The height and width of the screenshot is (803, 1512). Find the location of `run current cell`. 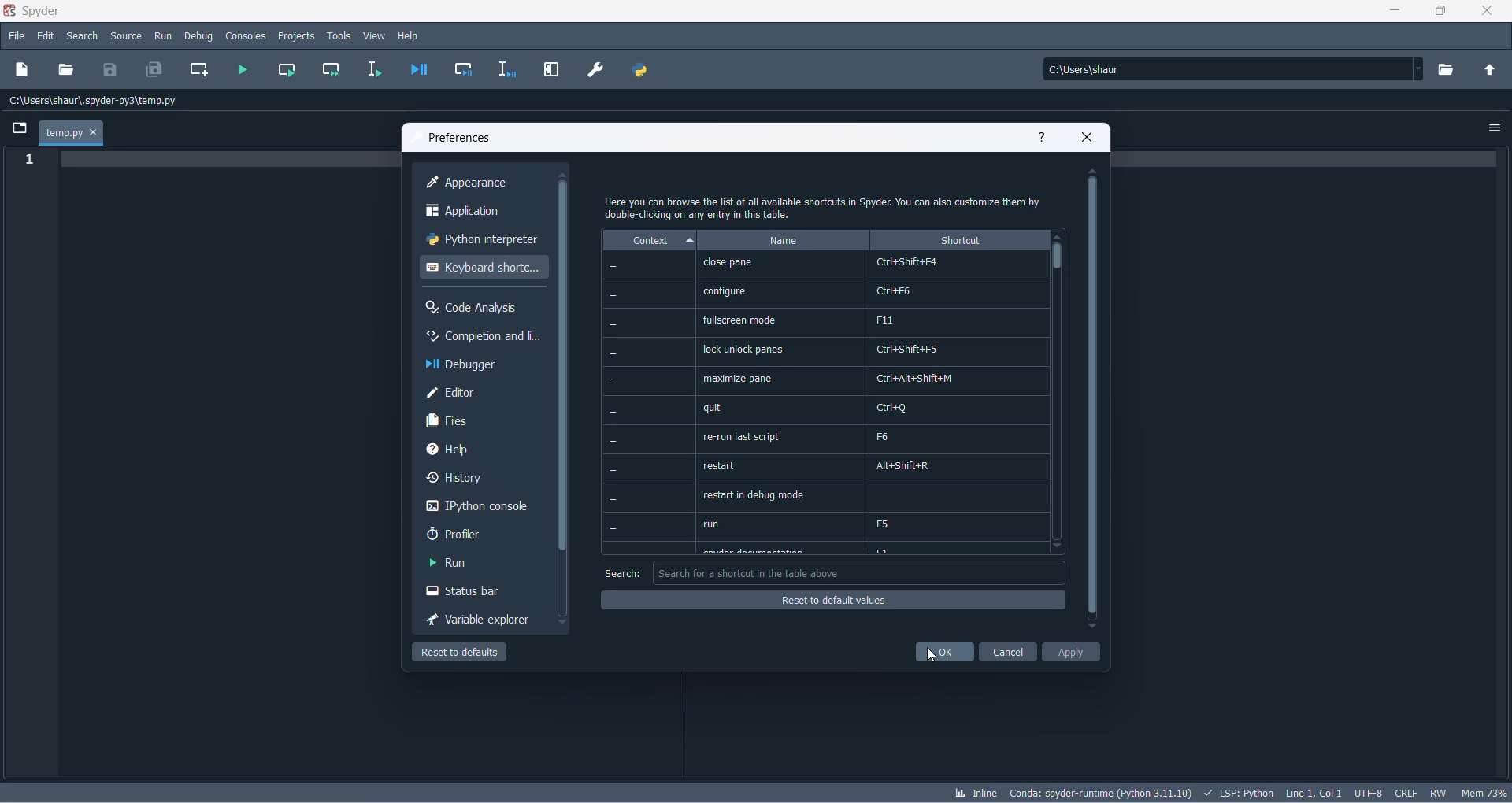

run current cell is located at coordinates (332, 69).